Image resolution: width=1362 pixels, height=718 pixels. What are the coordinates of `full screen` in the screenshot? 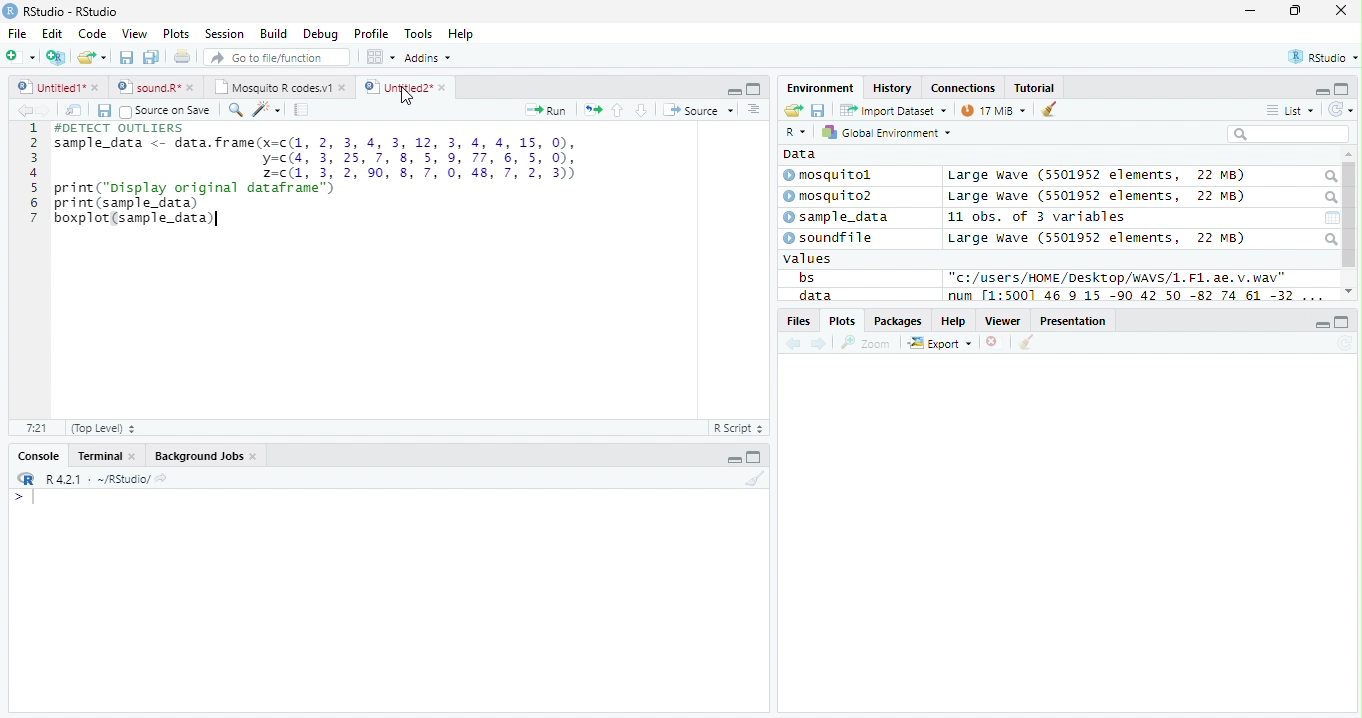 It's located at (754, 456).